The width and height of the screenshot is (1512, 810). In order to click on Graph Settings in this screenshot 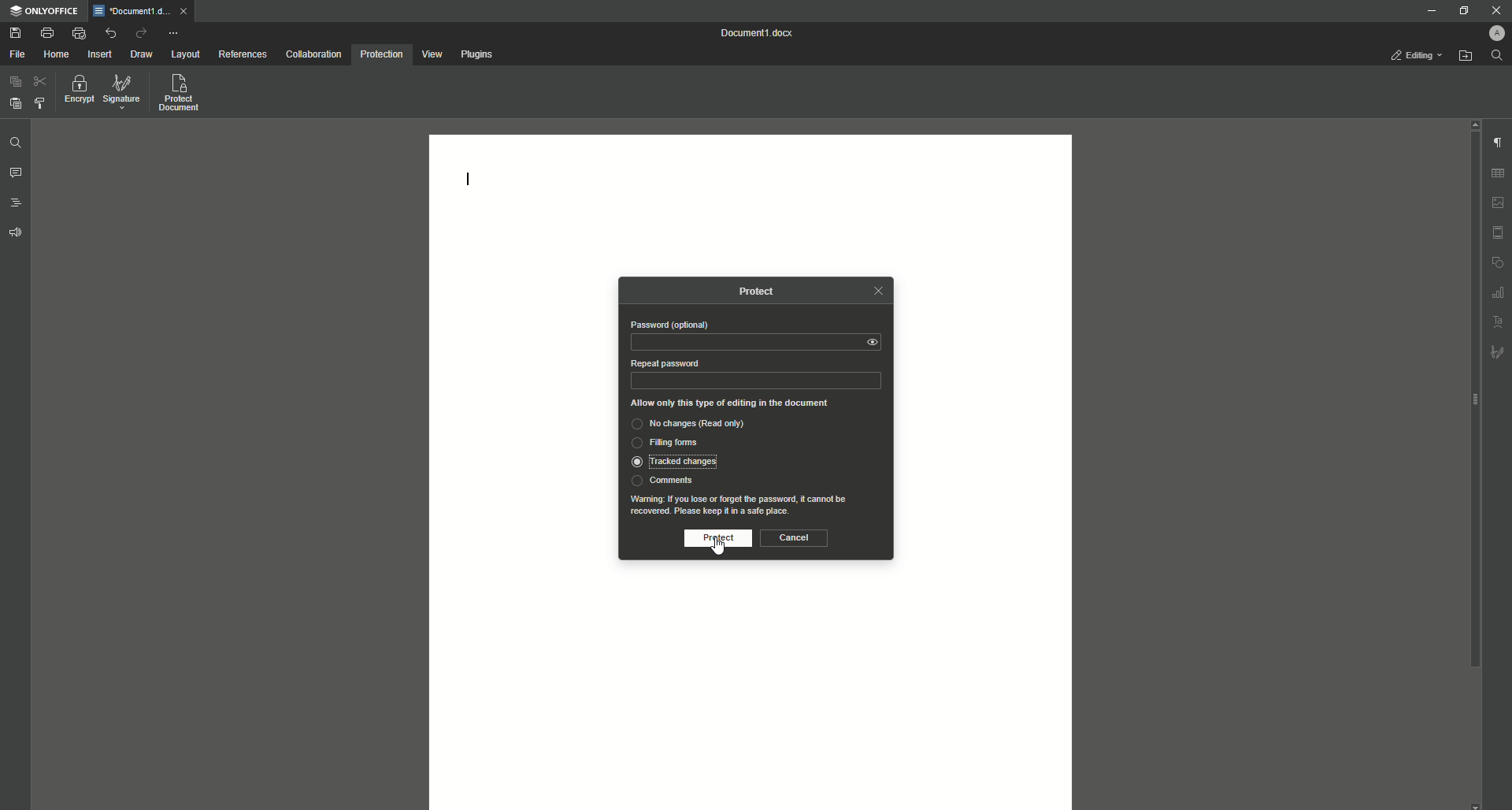, I will do `click(1499, 292)`.